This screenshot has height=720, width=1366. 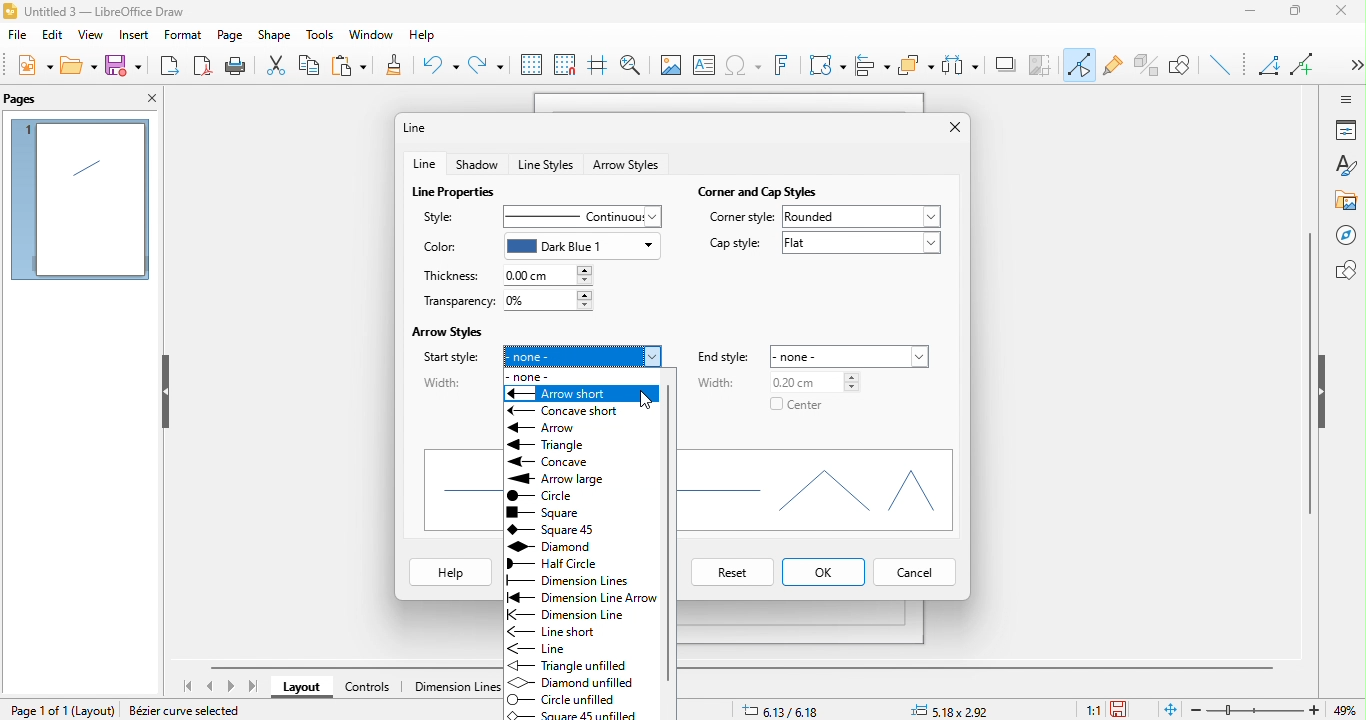 I want to click on snap to grid, so click(x=564, y=65).